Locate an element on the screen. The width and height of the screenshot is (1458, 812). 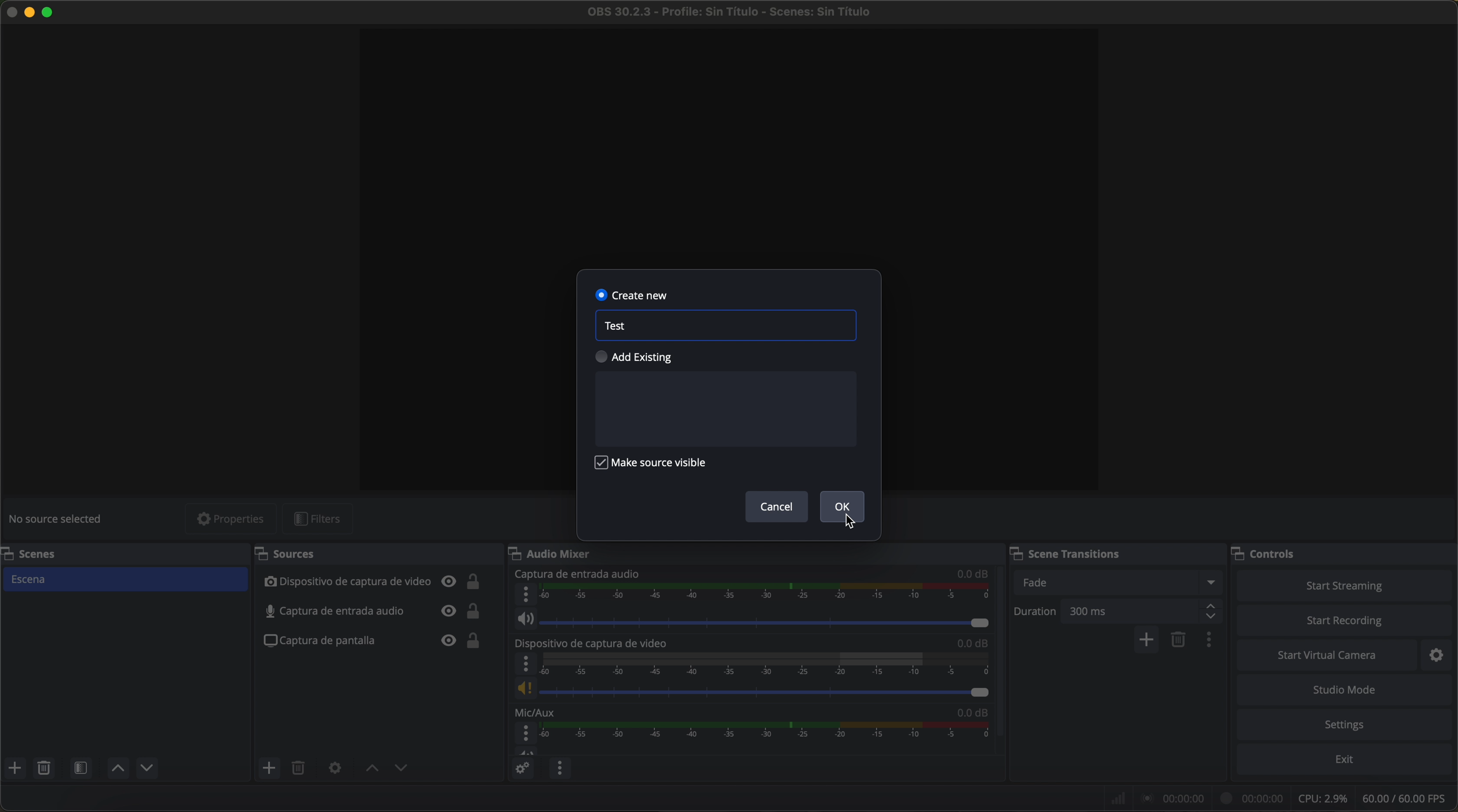
audio mixer menu is located at coordinates (559, 768).